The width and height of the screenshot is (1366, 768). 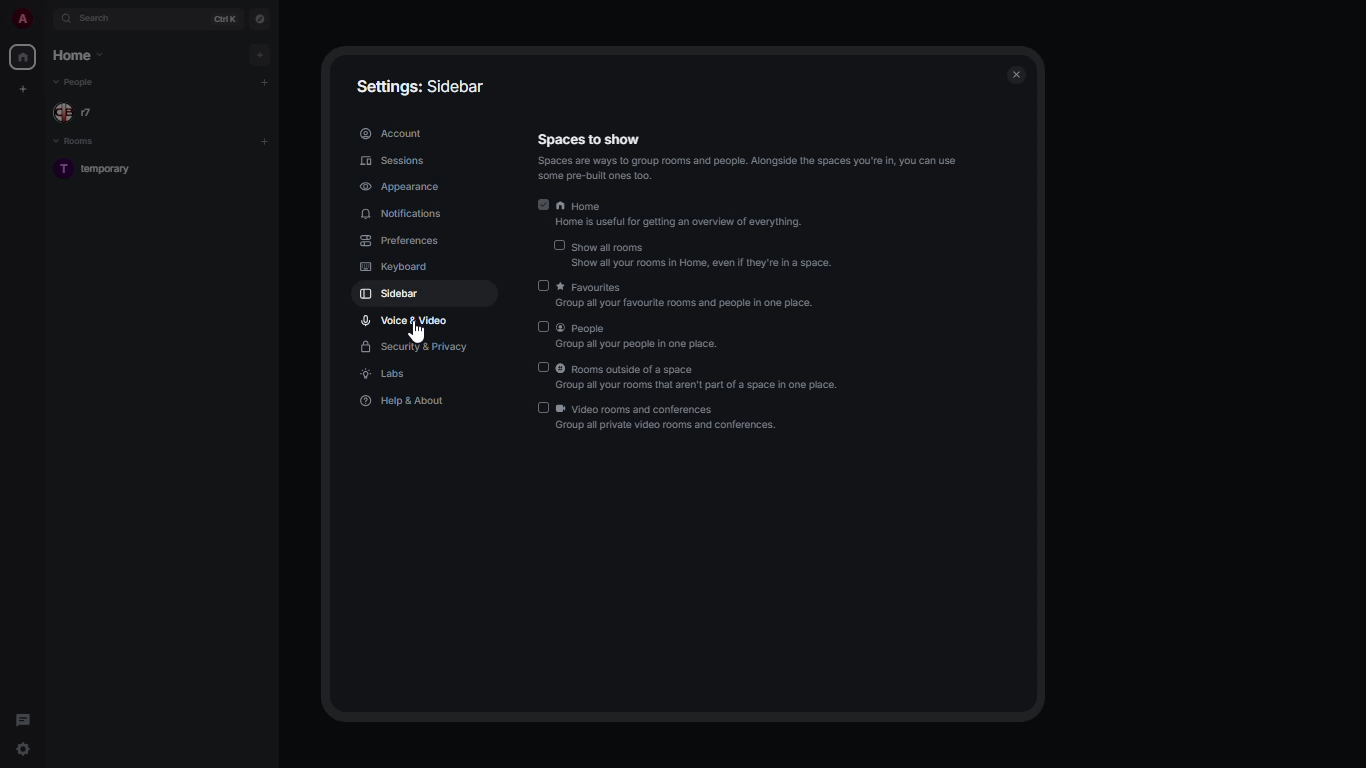 What do you see at coordinates (262, 53) in the screenshot?
I see `add` at bounding box center [262, 53].